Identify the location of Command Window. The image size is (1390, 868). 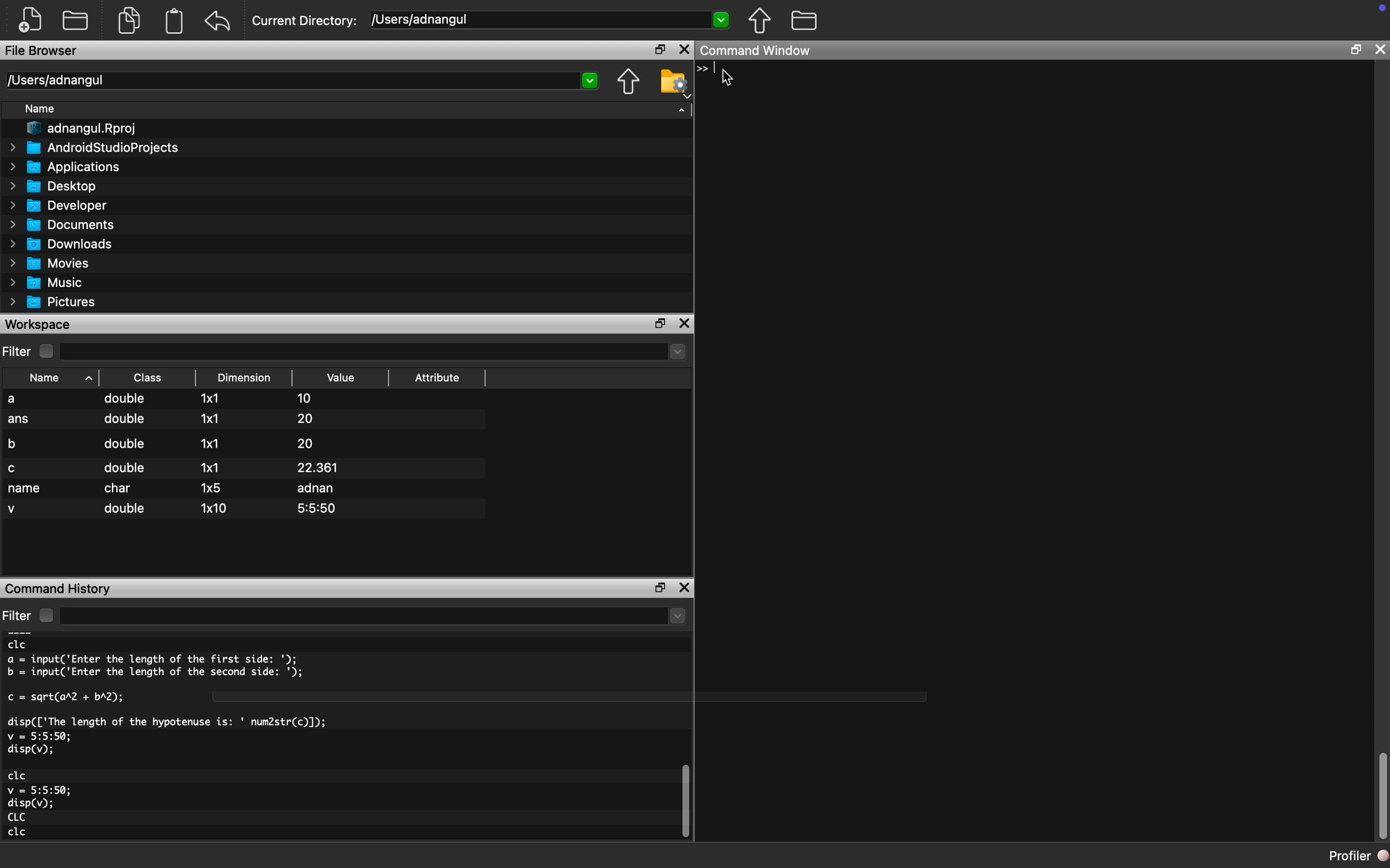
(763, 51).